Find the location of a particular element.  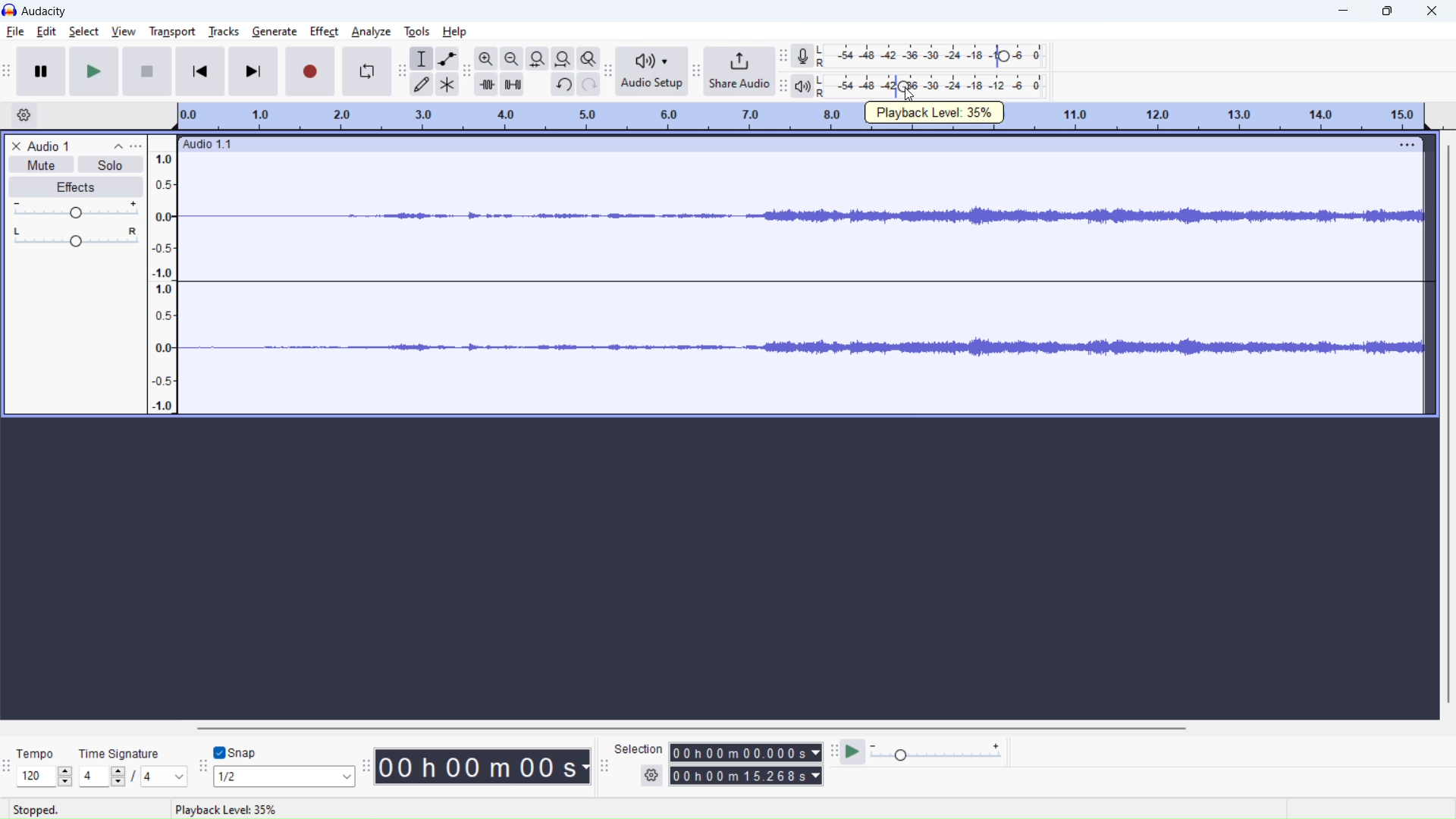

waveform is located at coordinates (802, 350).